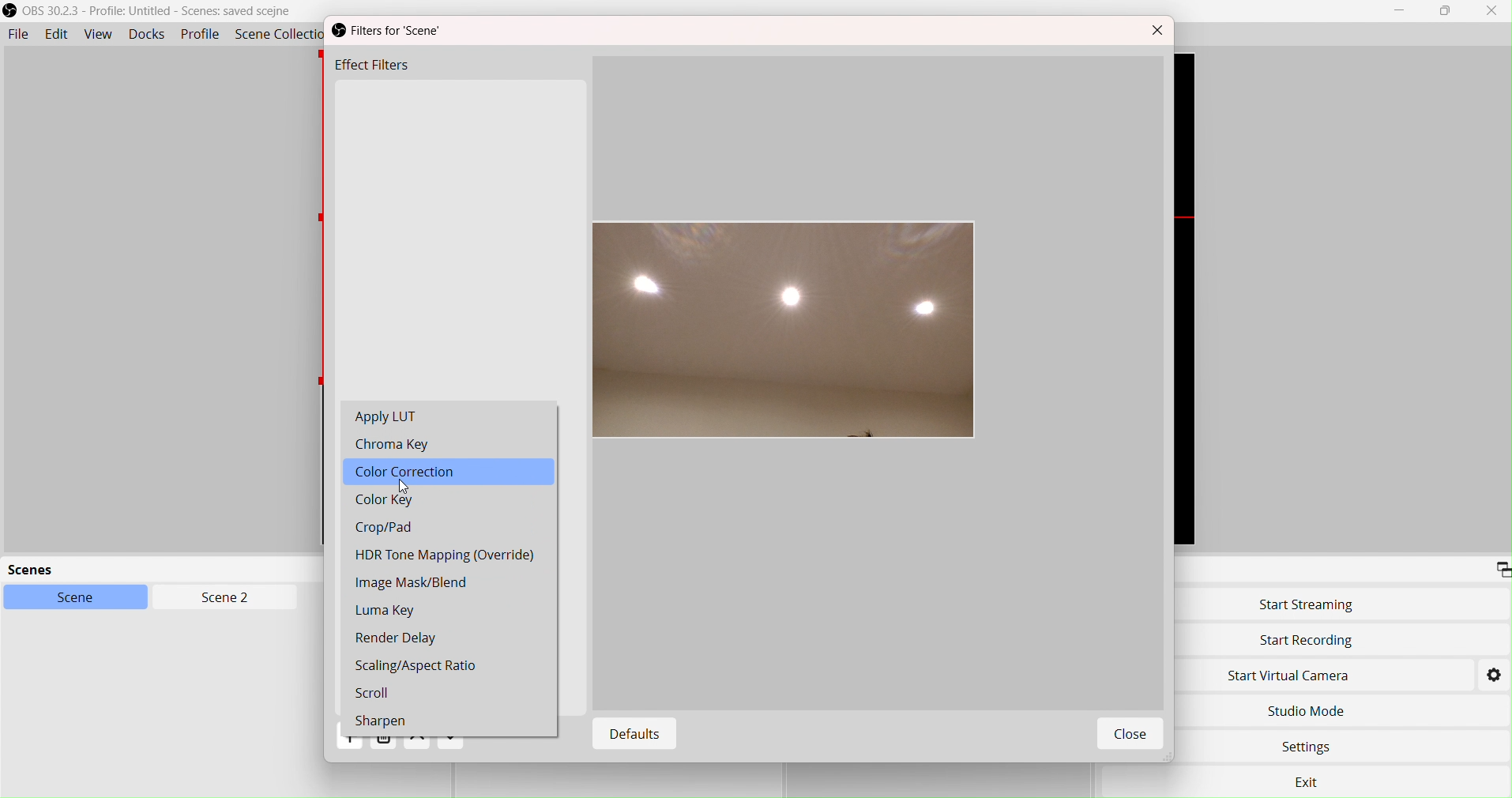 The image size is (1512, 798). I want to click on Sharpen, so click(382, 721).